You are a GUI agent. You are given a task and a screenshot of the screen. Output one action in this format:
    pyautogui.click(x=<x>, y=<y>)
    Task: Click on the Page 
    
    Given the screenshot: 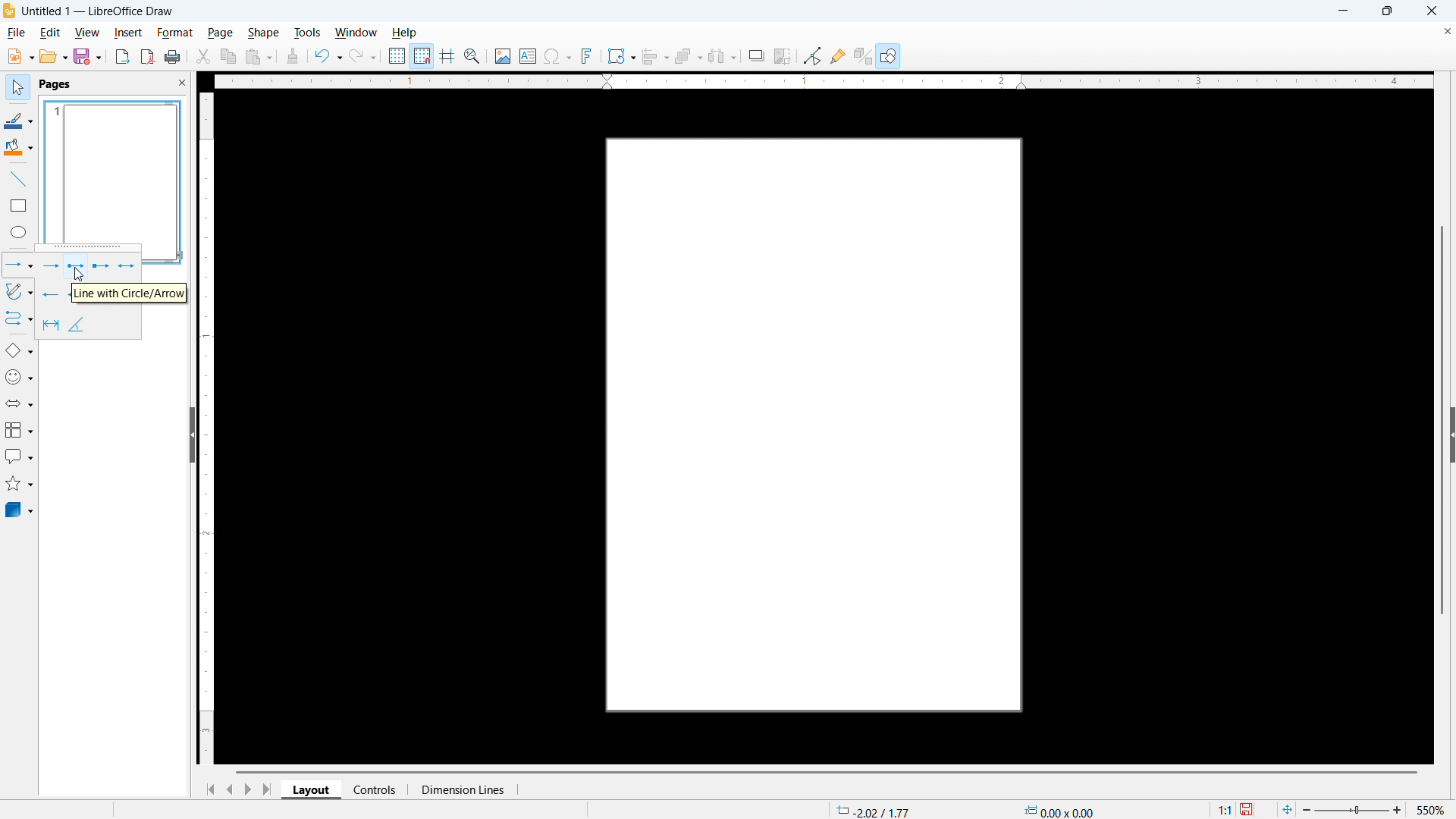 What is the action you would take?
    pyautogui.click(x=219, y=33)
    